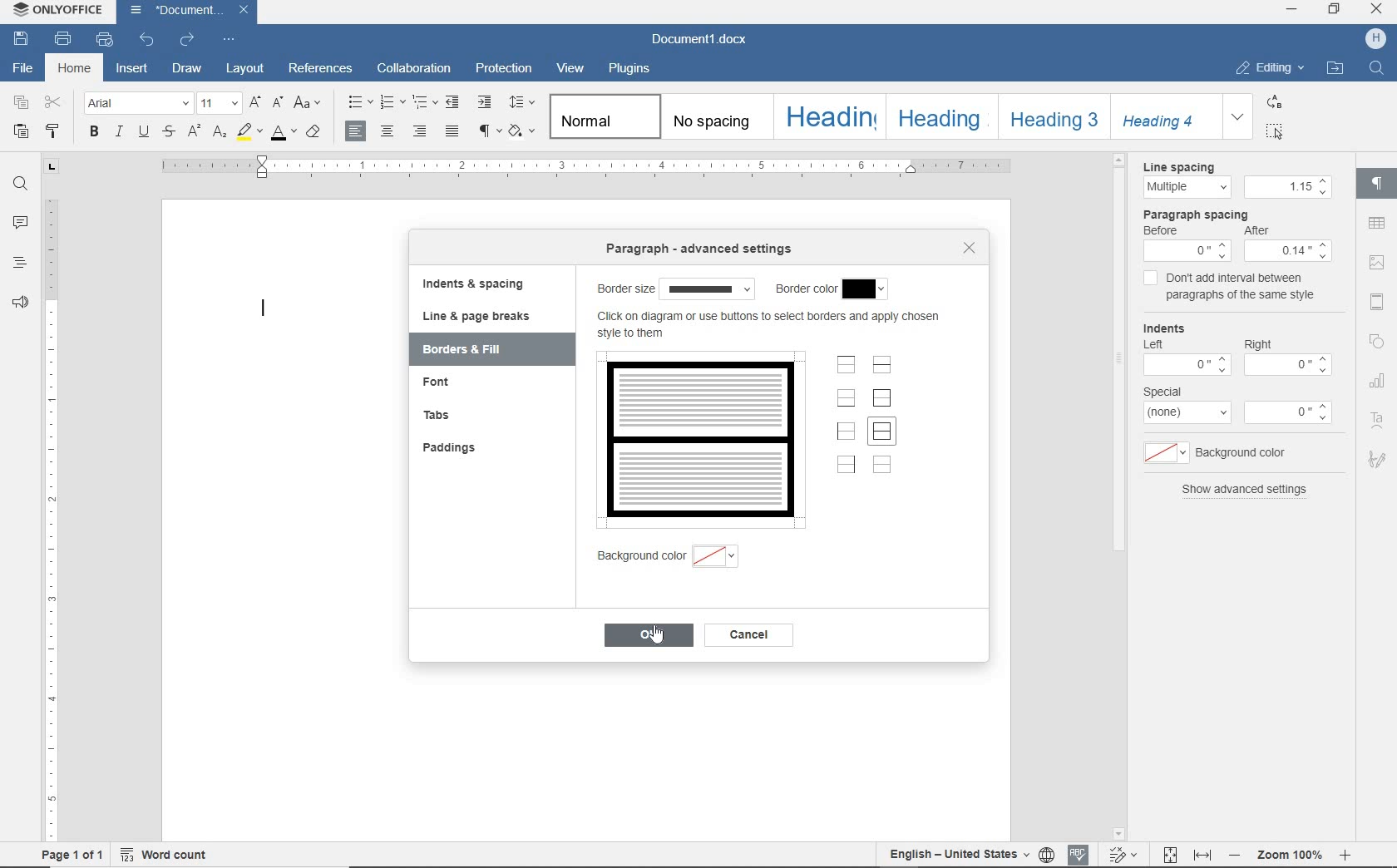 This screenshot has height=868, width=1397. I want to click on shading, so click(526, 132).